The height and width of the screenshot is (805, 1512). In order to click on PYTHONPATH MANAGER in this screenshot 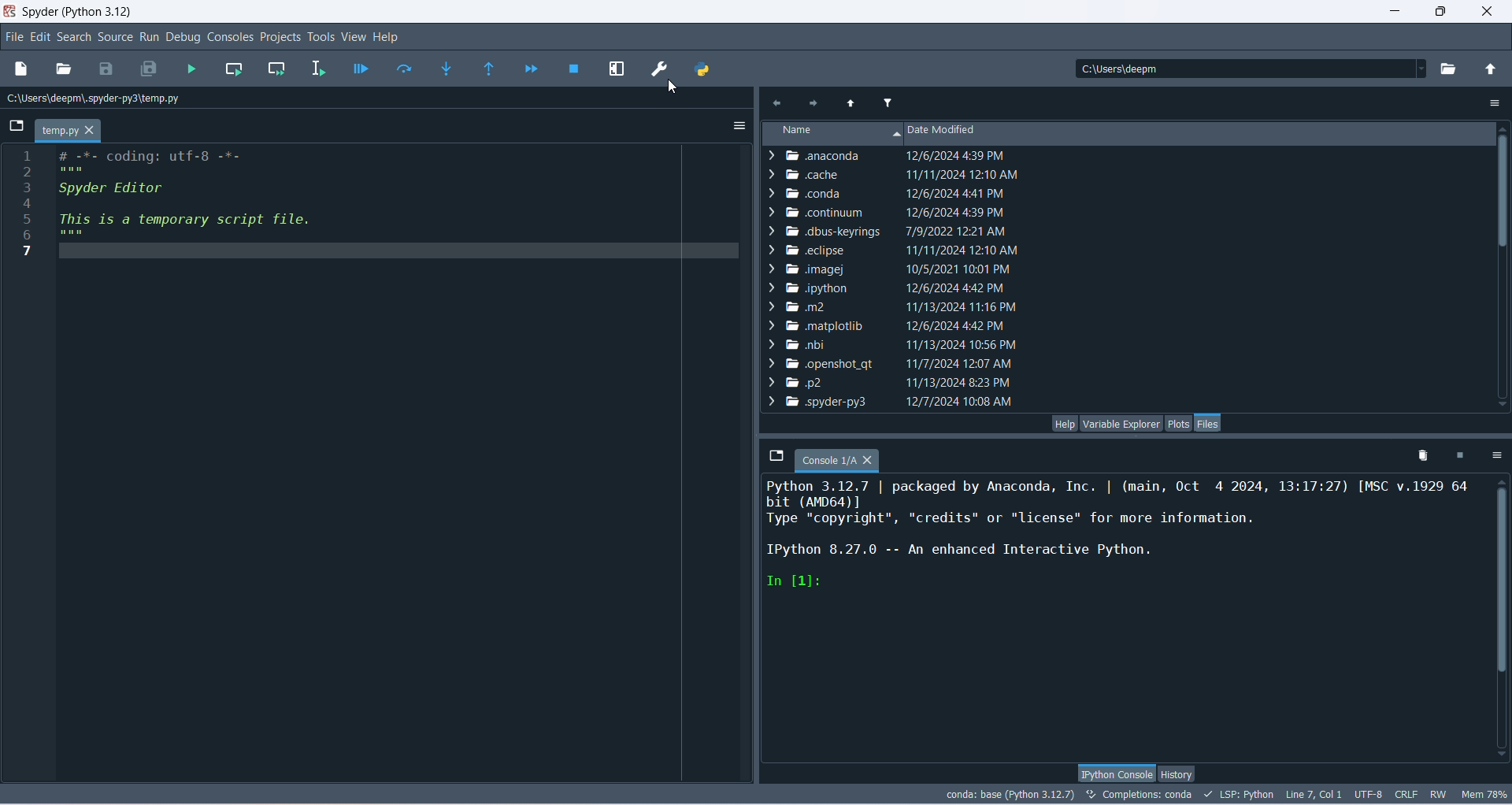, I will do `click(701, 69)`.